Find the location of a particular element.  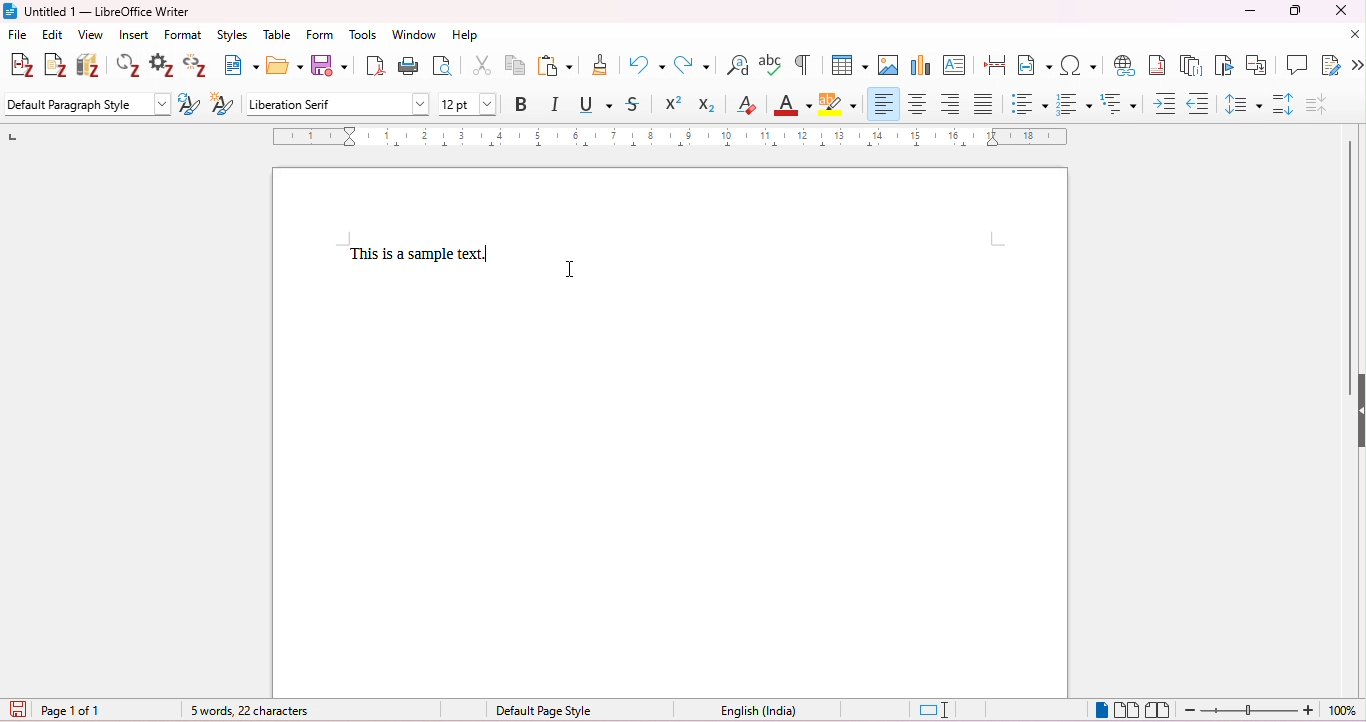

multilevel list is located at coordinates (1120, 103).